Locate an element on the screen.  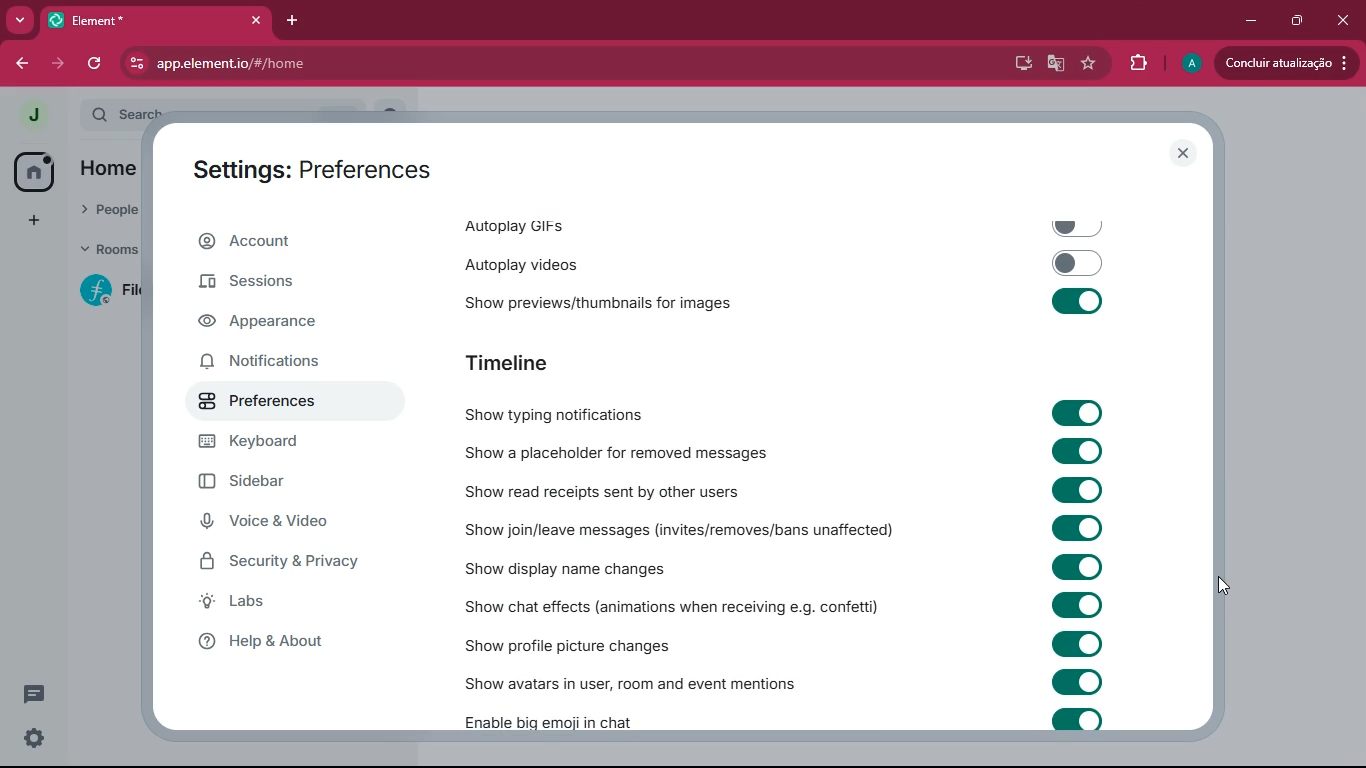
preferences is located at coordinates (279, 403).